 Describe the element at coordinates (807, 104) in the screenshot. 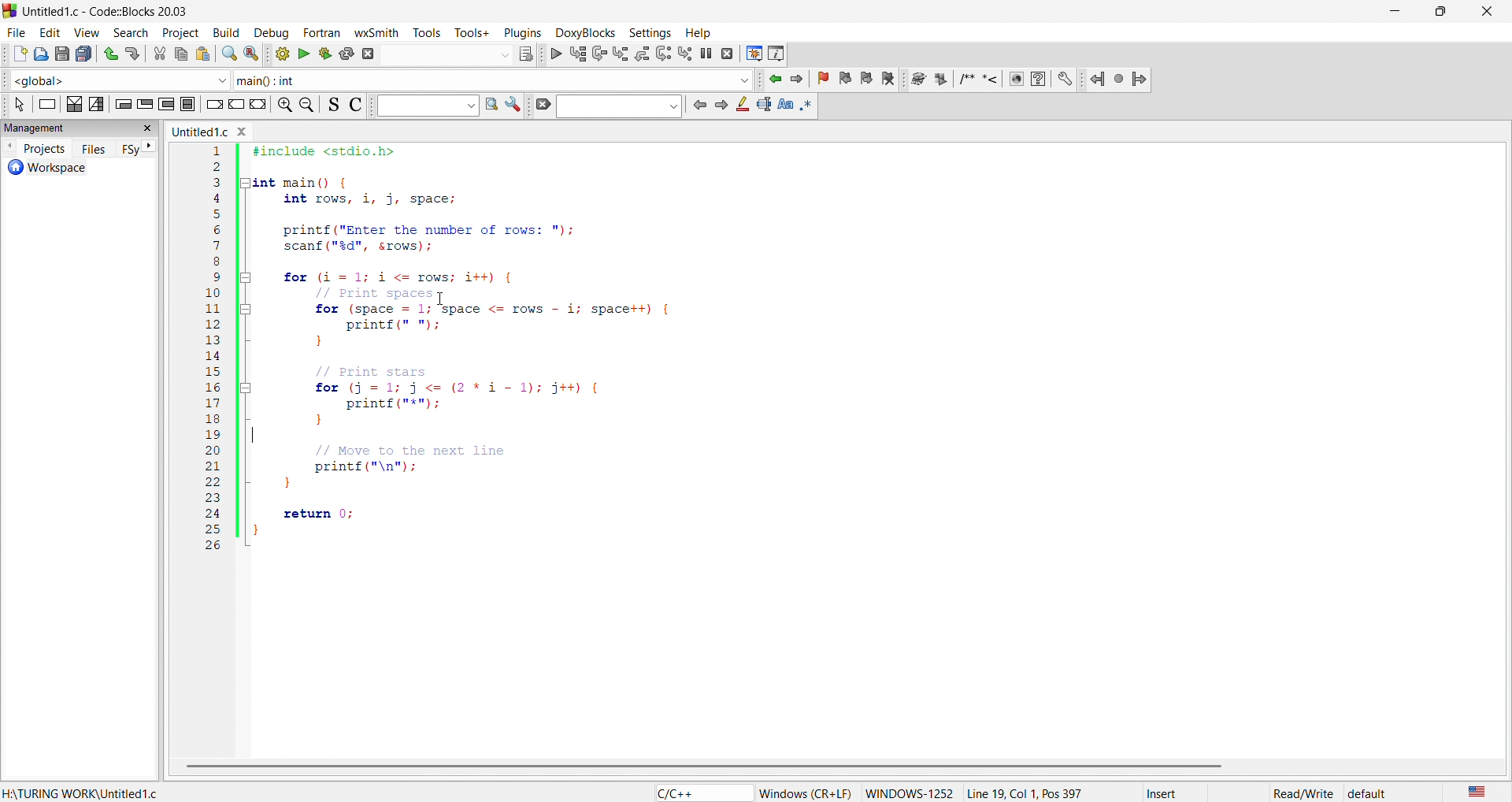

I see `use regex` at that location.